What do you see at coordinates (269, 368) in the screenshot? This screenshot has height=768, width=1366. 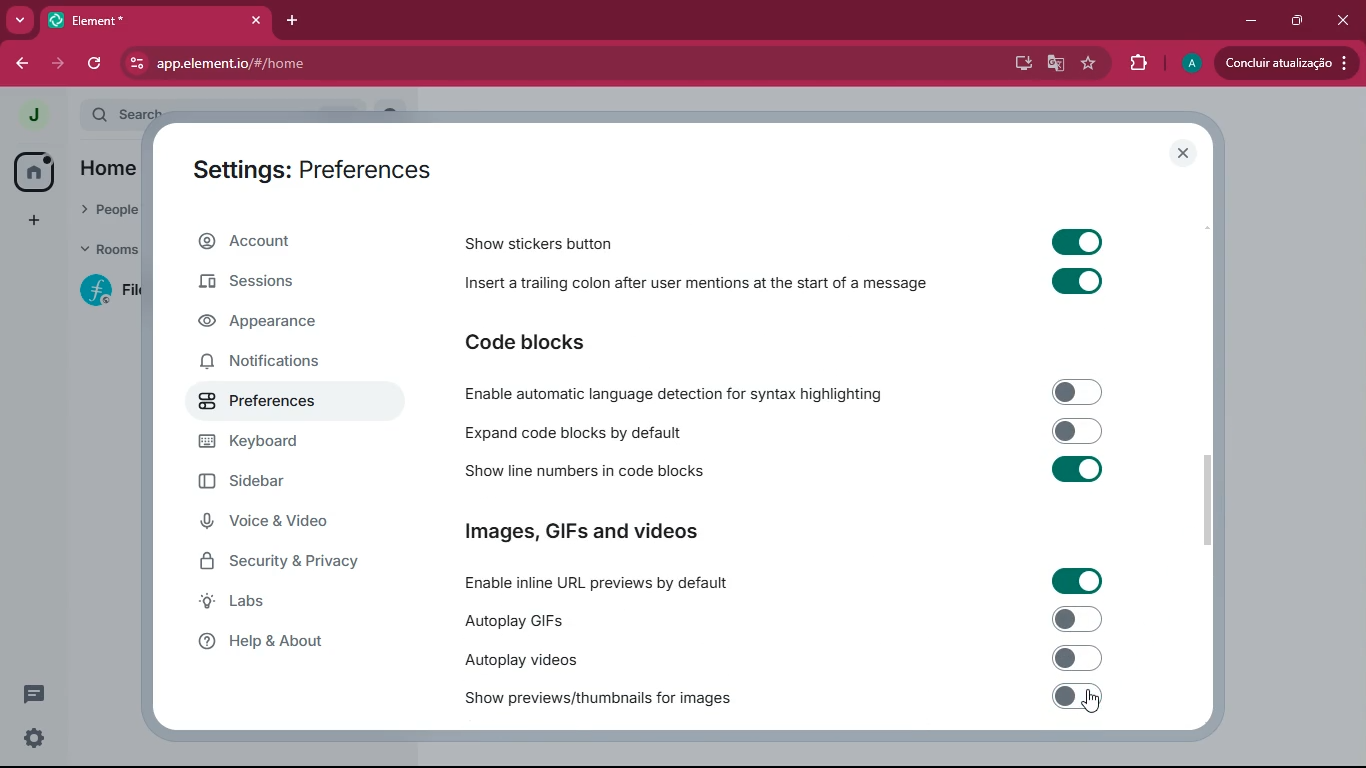 I see `Notifications` at bounding box center [269, 368].